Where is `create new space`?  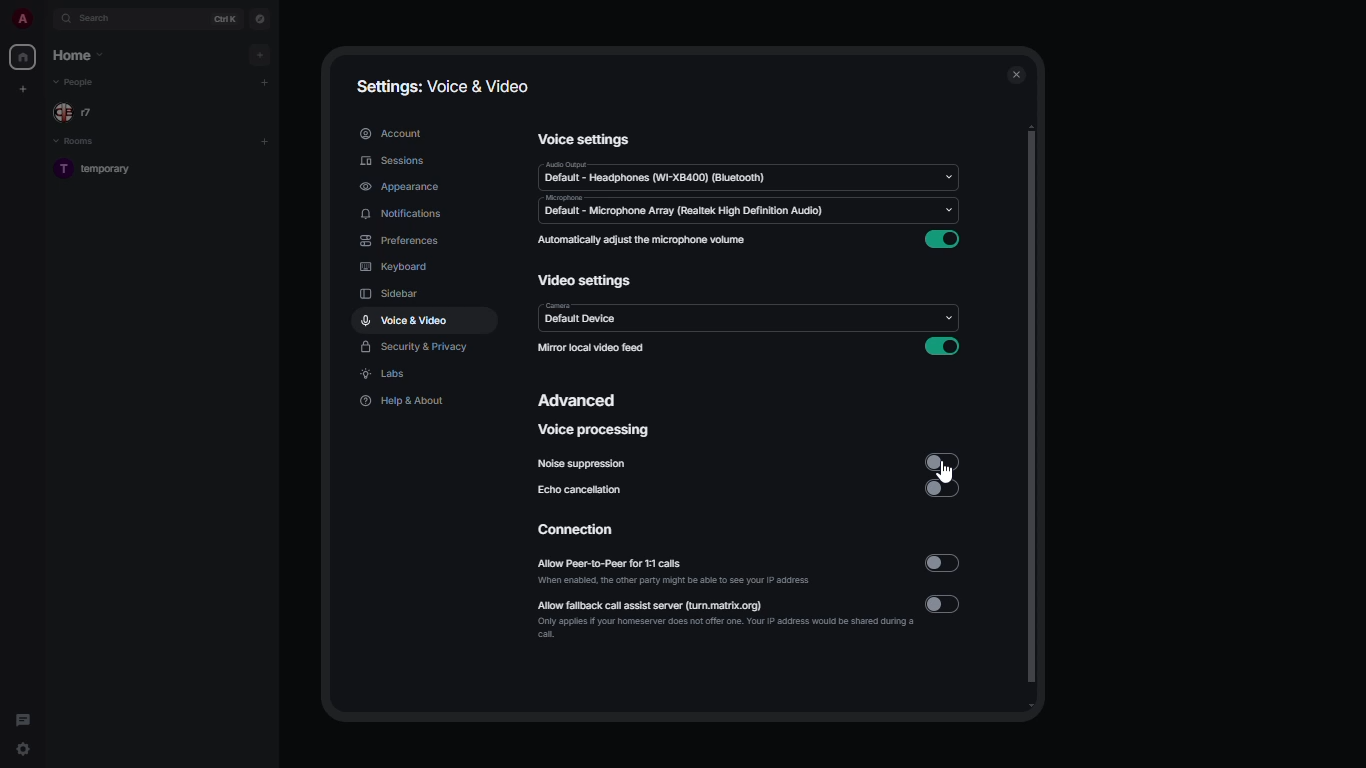 create new space is located at coordinates (23, 88).